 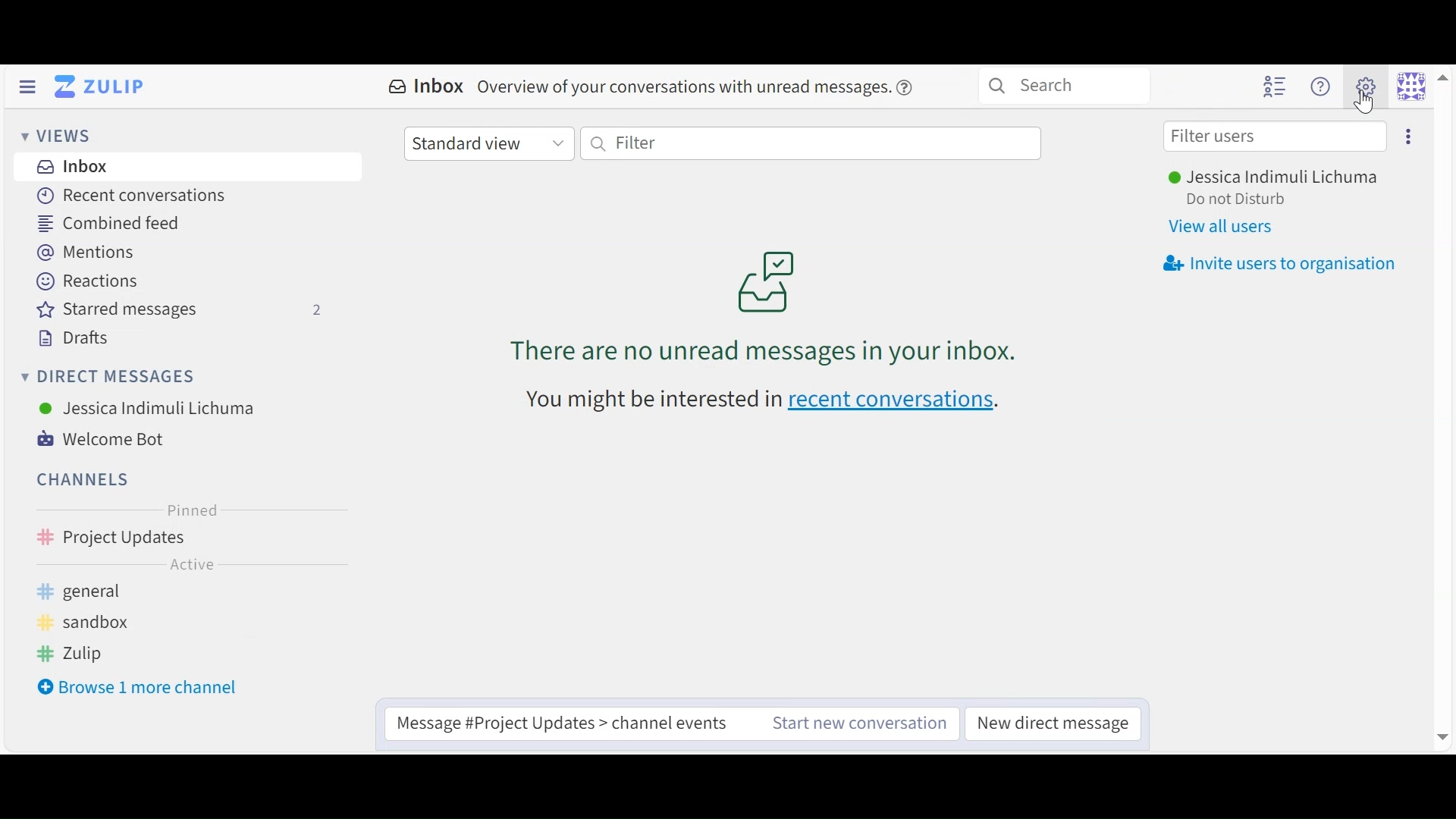 I want to click on Mentions, so click(x=87, y=253).